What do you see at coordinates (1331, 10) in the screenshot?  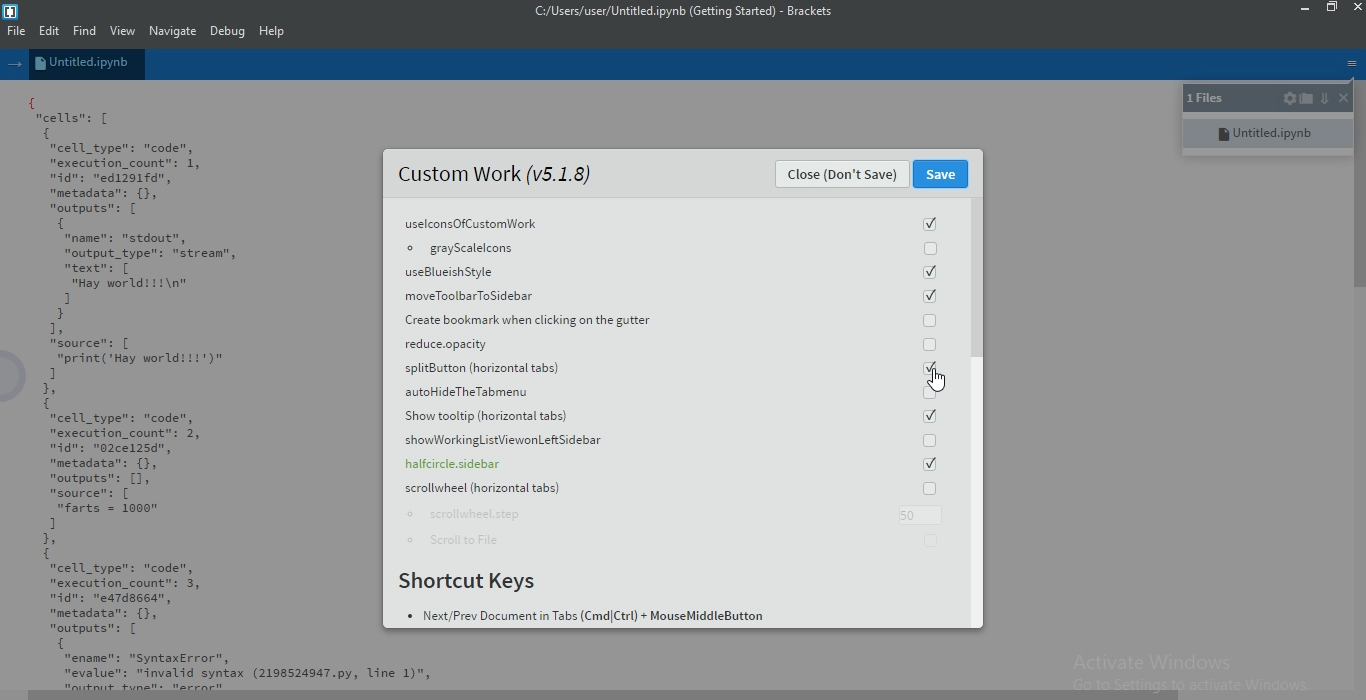 I see `restore` at bounding box center [1331, 10].